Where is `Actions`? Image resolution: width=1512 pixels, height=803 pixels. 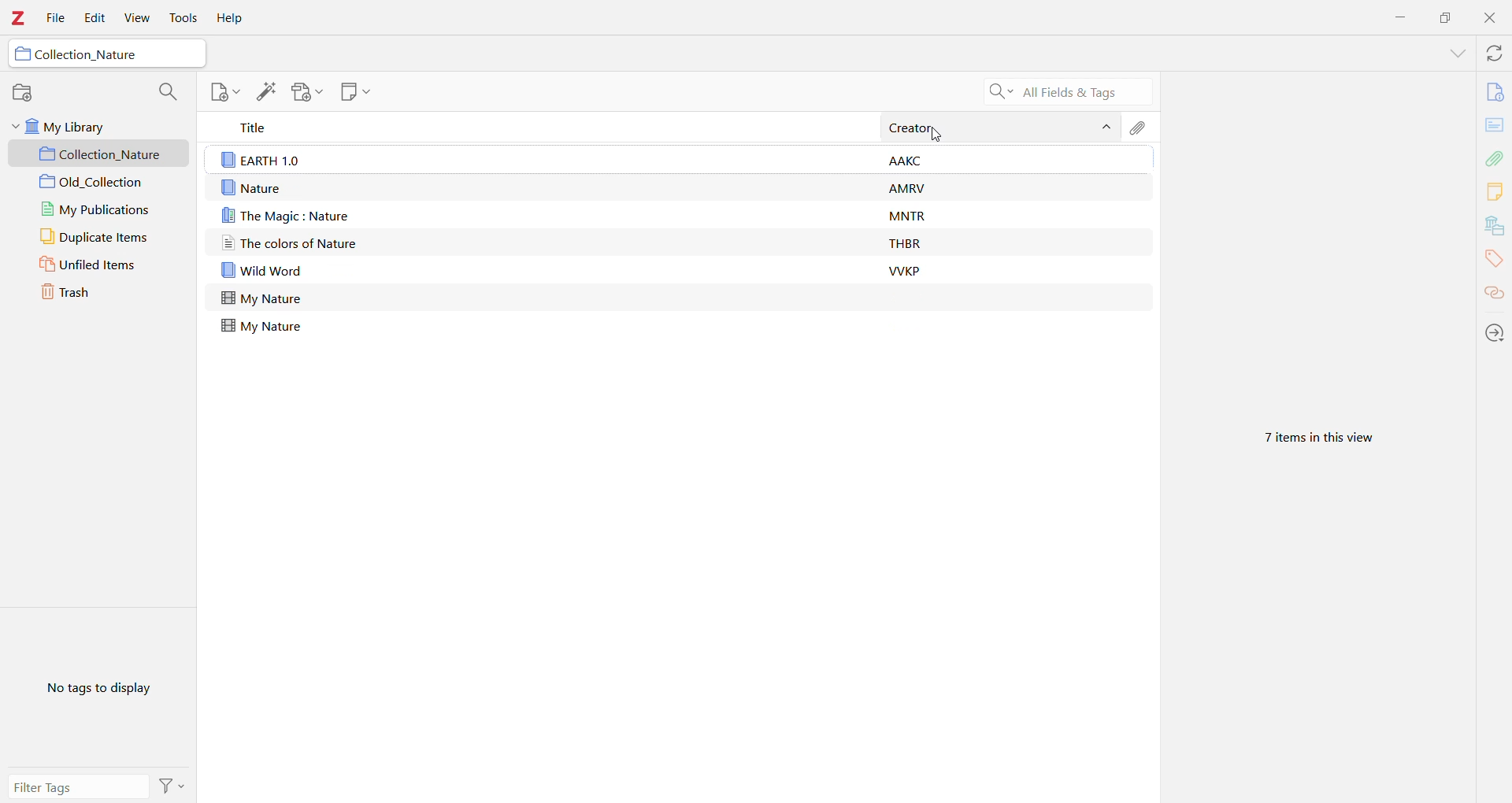
Actions is located at coordinates (174, 787).